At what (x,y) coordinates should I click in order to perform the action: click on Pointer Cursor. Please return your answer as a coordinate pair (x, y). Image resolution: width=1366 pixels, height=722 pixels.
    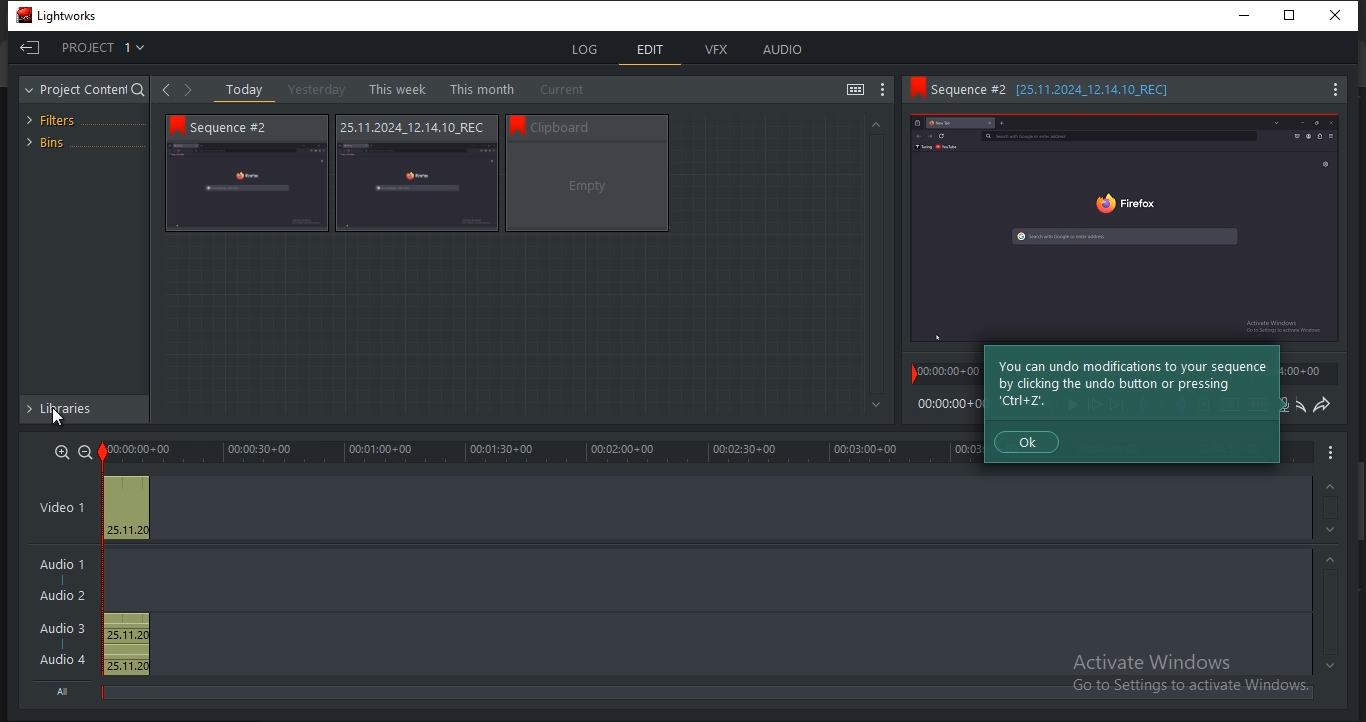
    Looking at the image, I should click on (55, 418).